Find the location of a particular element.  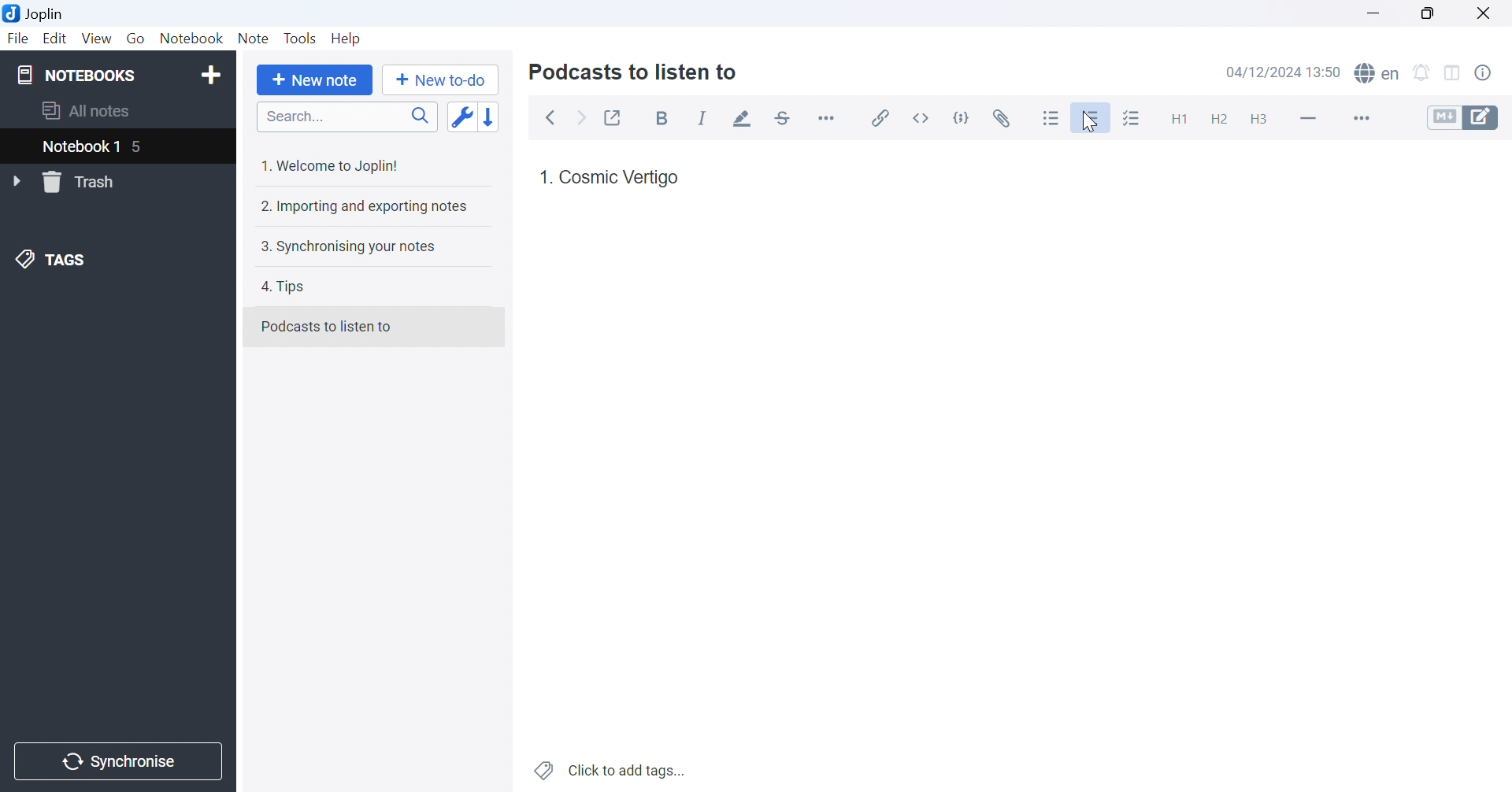

Notebook 1 is located at coordinates (80, 147).